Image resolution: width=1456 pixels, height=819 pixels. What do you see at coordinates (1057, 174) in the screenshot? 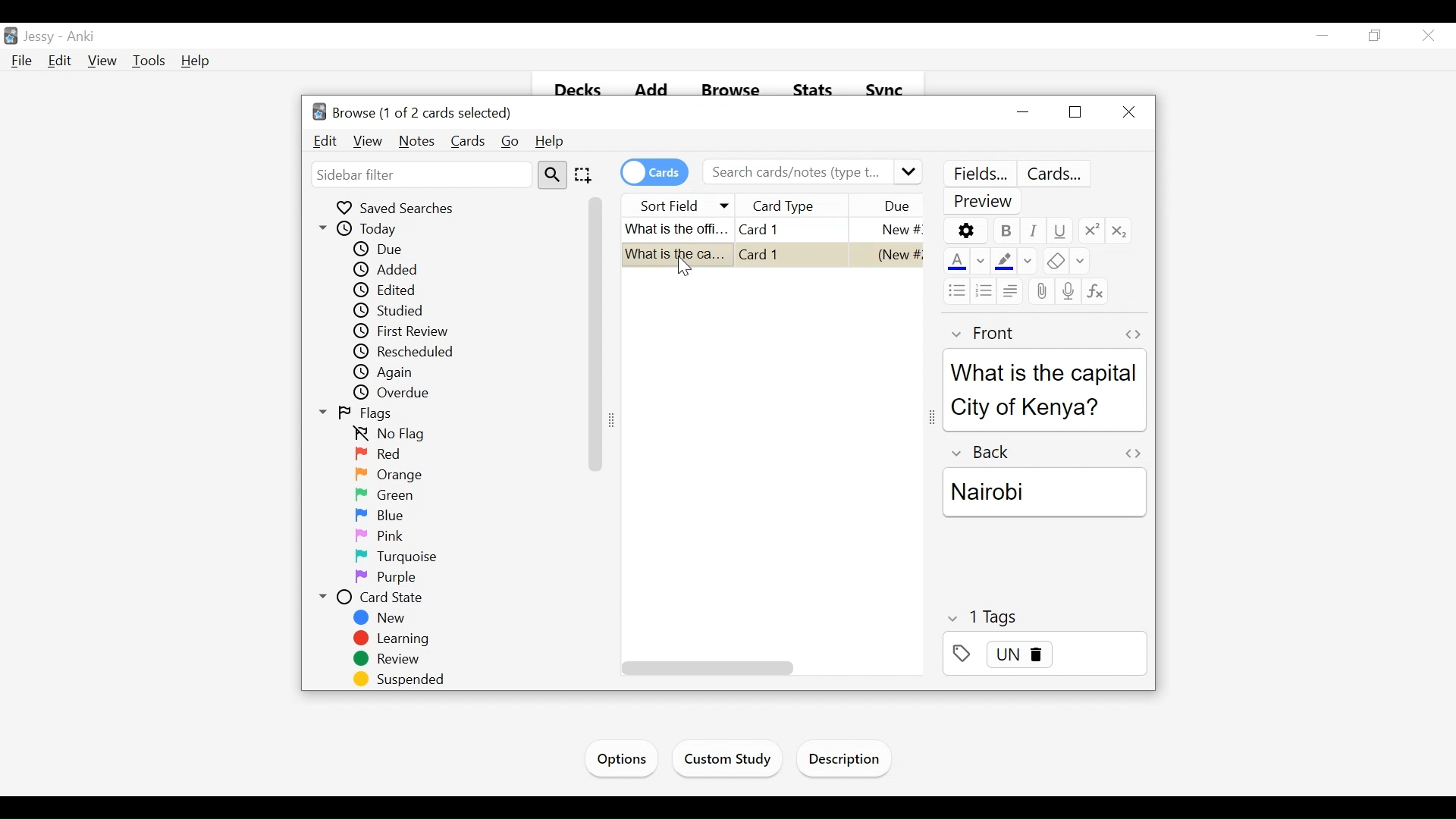
I see `customize card Template` at bounding box center [1057, 174].